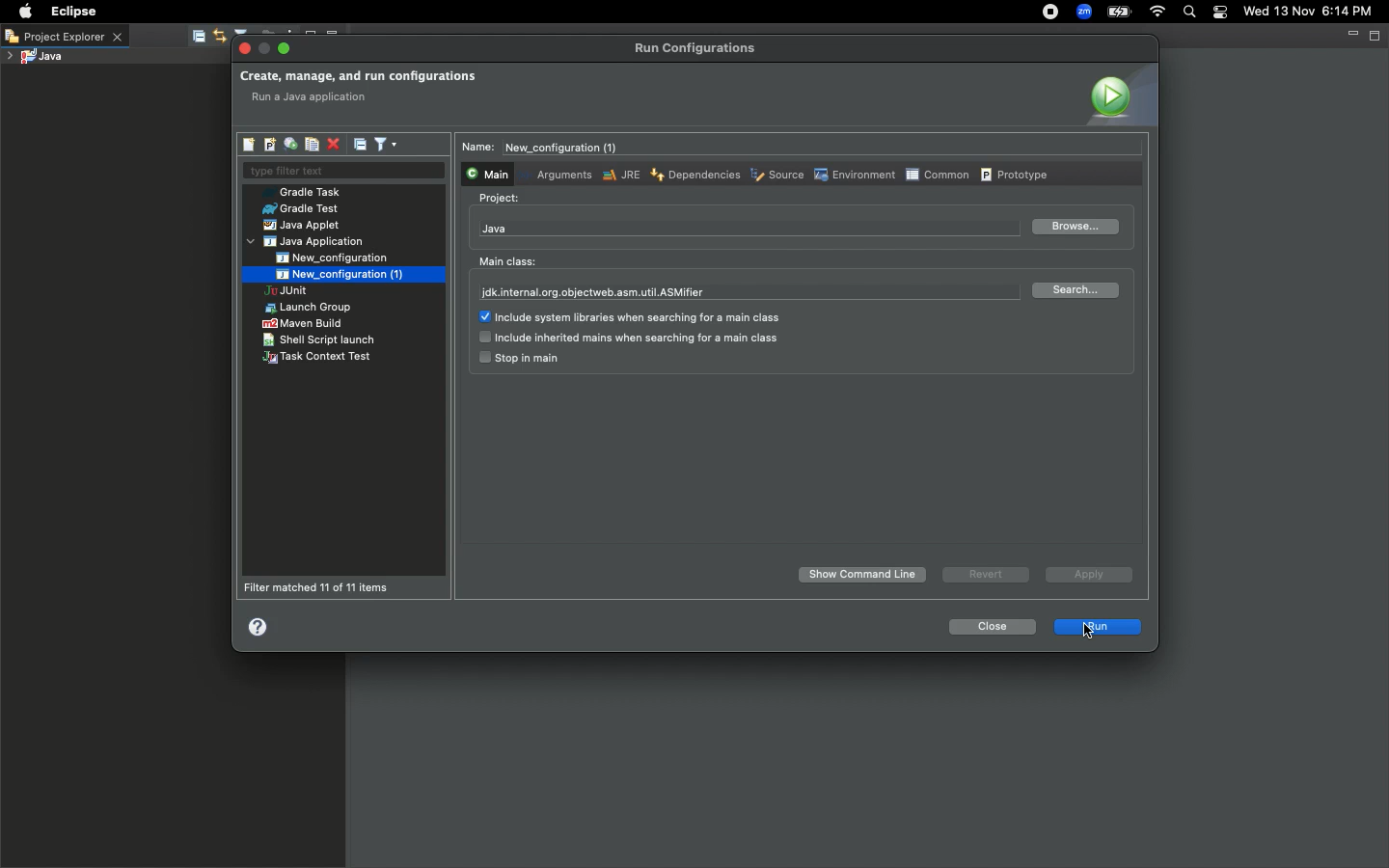  What do you see at coordinates (983, 574) in the screenshot?
I see `Revert` at bounding box center [983, 574].